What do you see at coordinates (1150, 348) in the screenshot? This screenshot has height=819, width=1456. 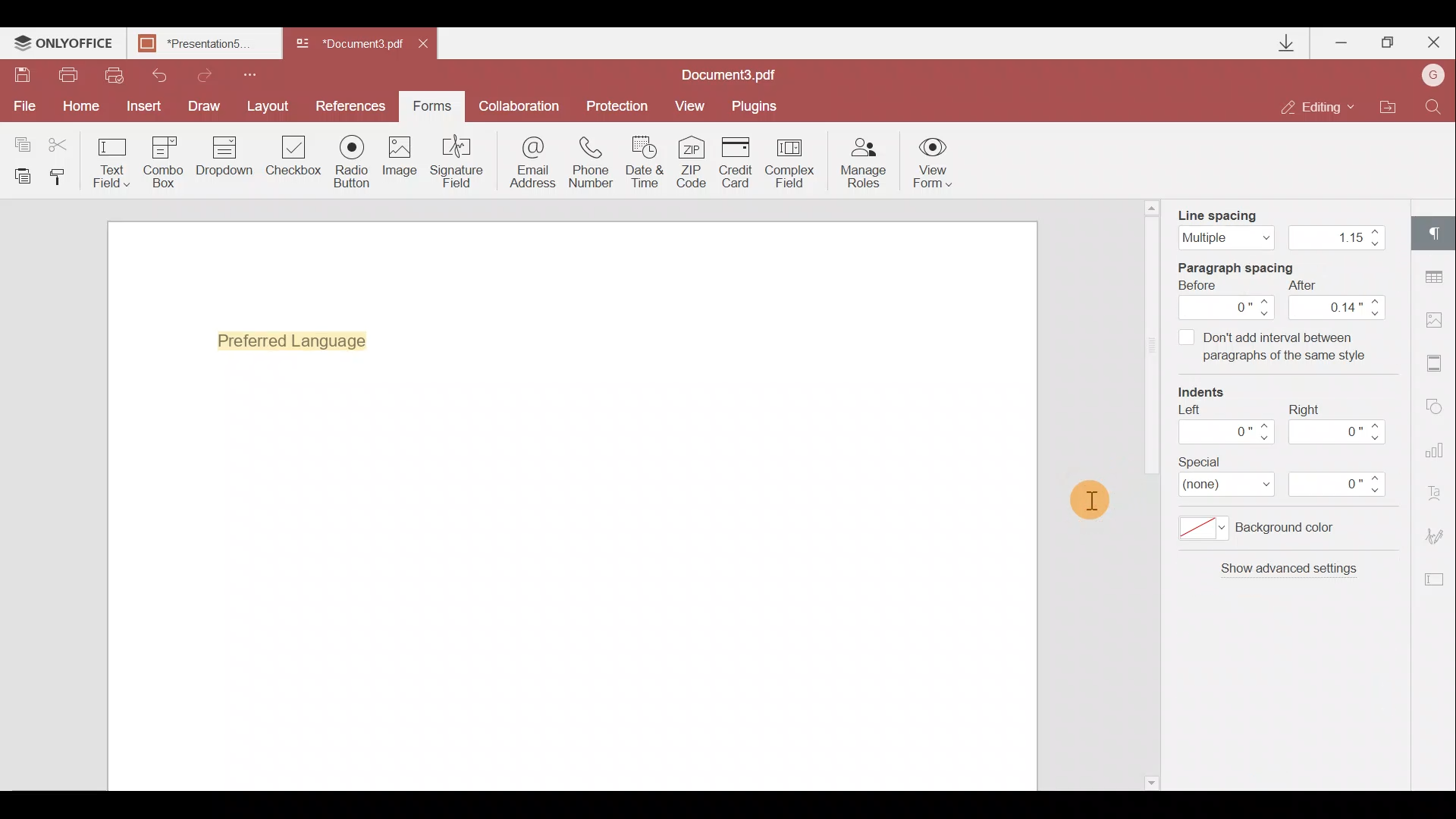 I see `scroll bar` at bounding box center [1150, 348].